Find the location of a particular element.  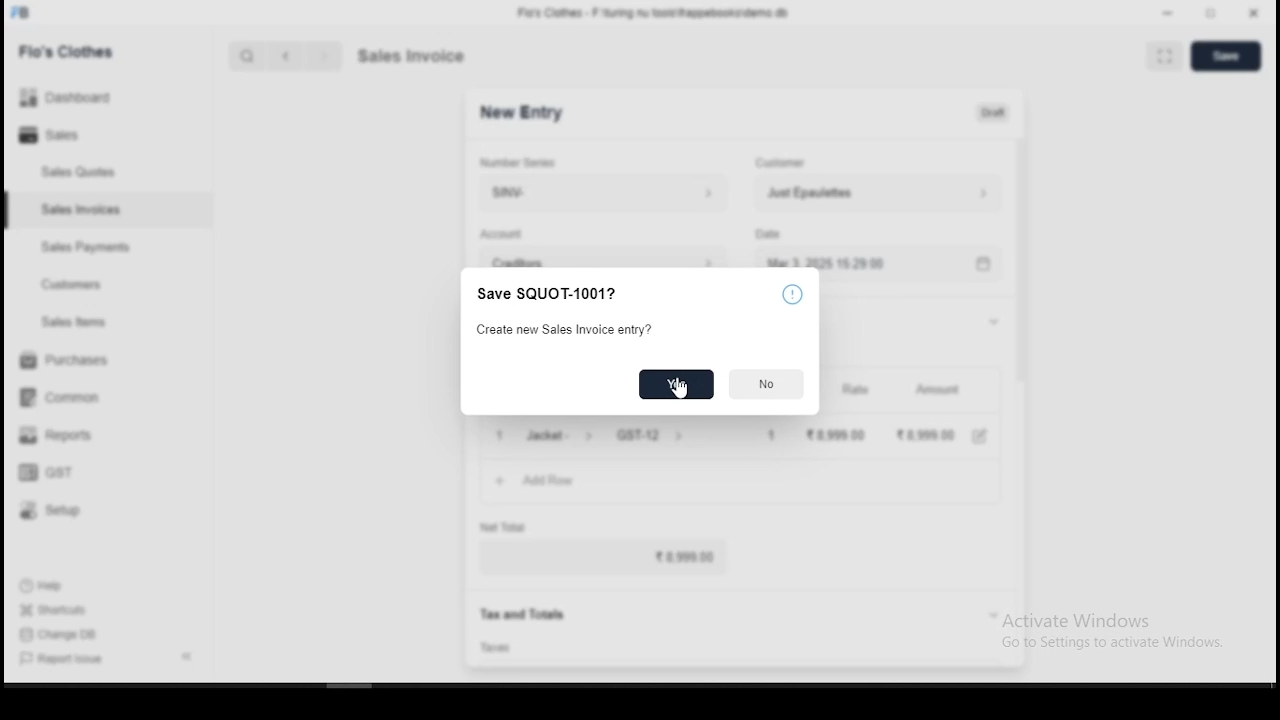

save is located at coordinates (1227, 56).